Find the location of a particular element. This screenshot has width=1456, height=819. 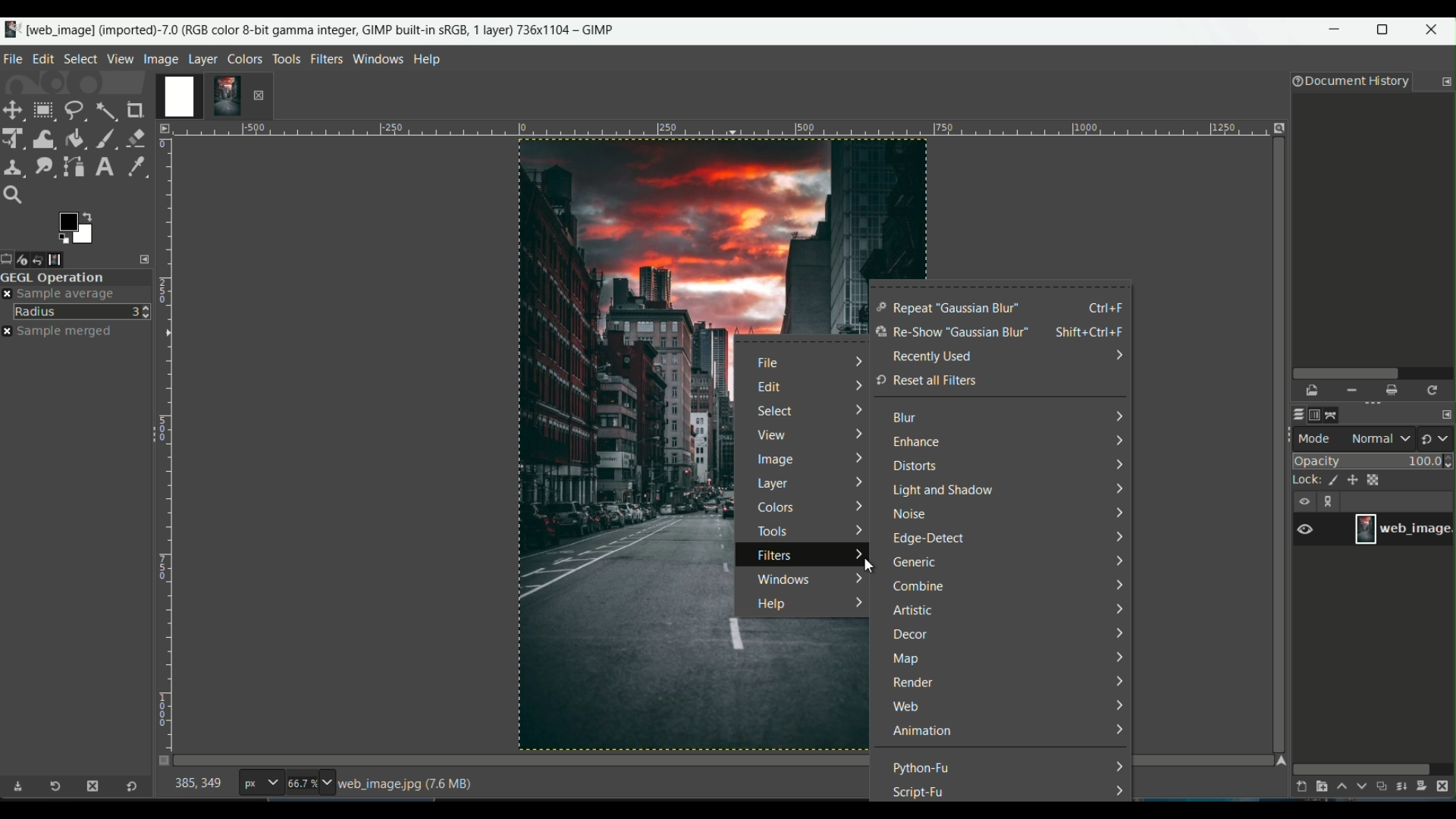

delete this layer is located at coordinates (1447, 786).